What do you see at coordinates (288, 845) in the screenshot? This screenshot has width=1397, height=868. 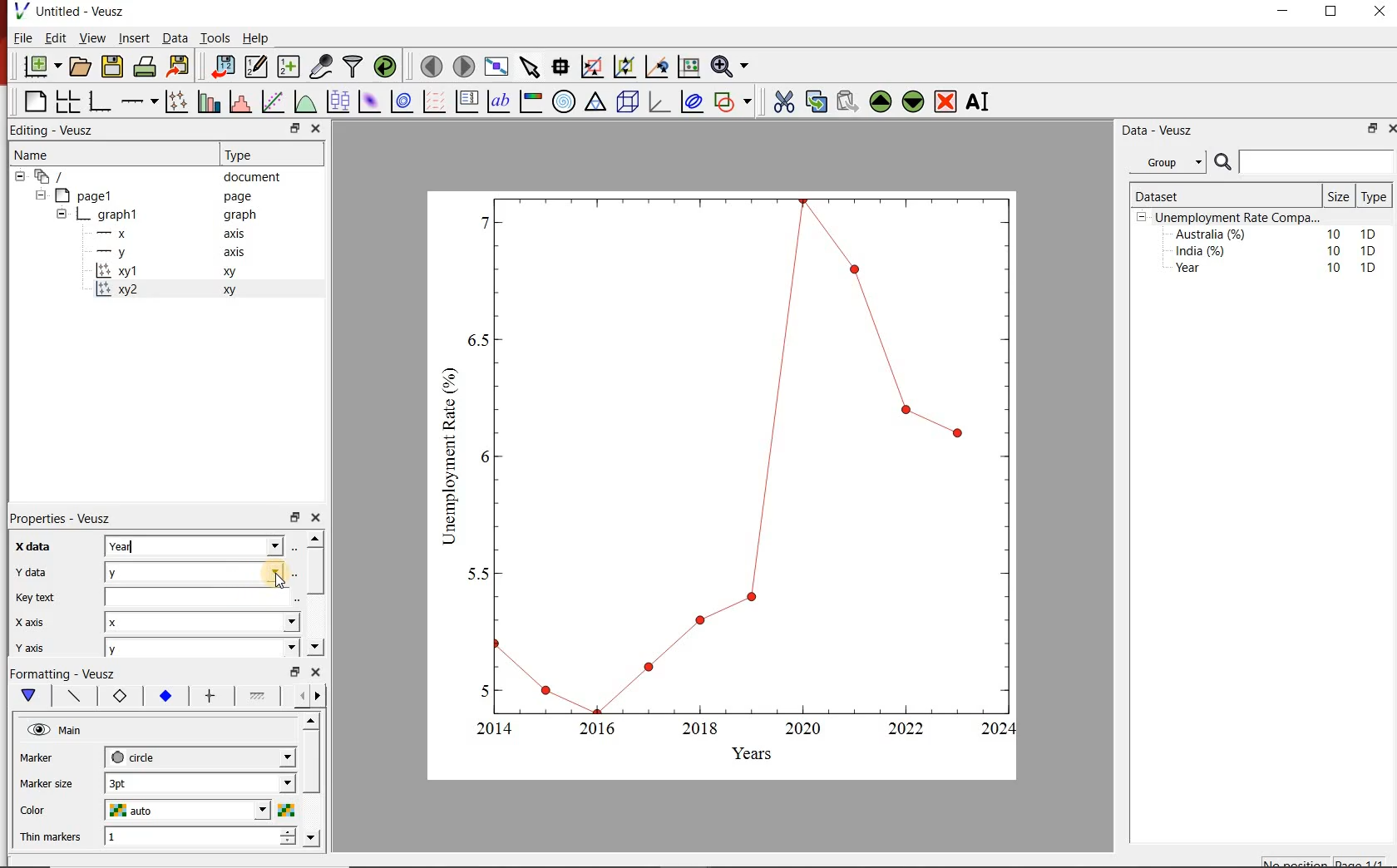 I see `decrease` at bounding box center [288, 845].